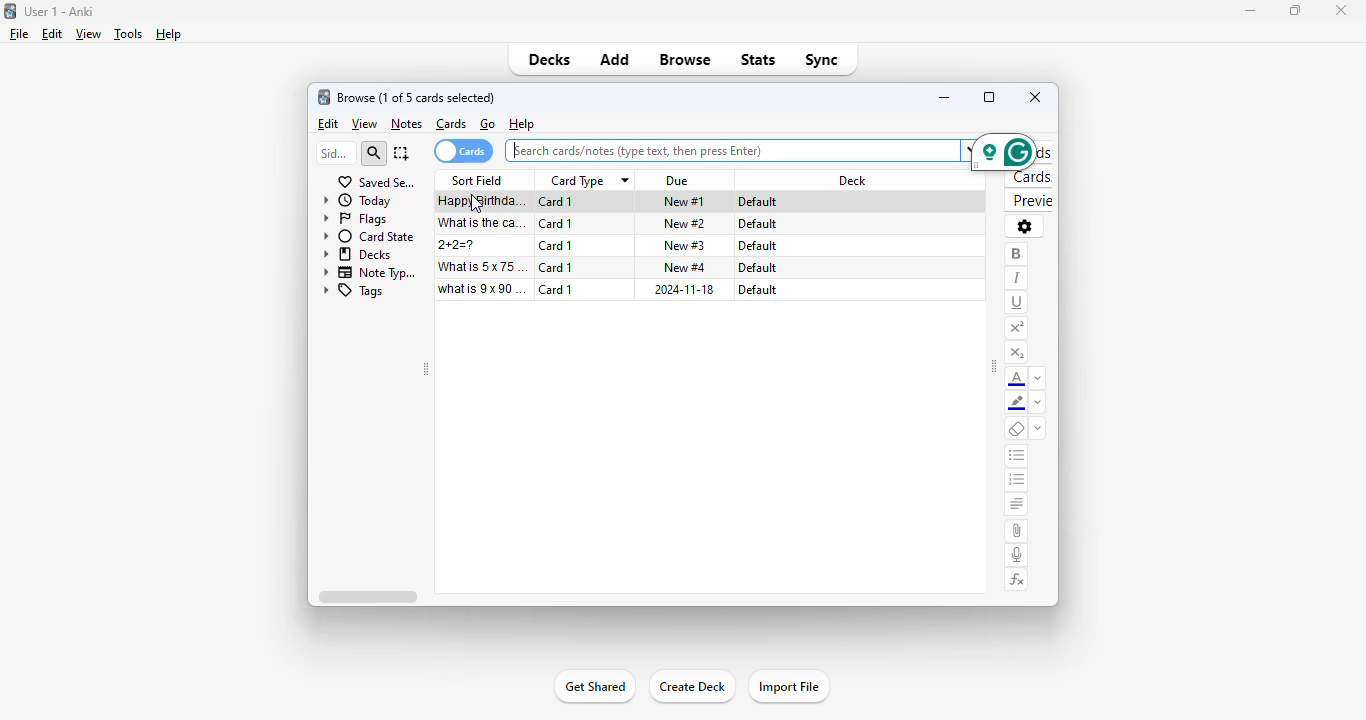 The image size is (1366, 720). I want to click on card 1, so click(557, 202).